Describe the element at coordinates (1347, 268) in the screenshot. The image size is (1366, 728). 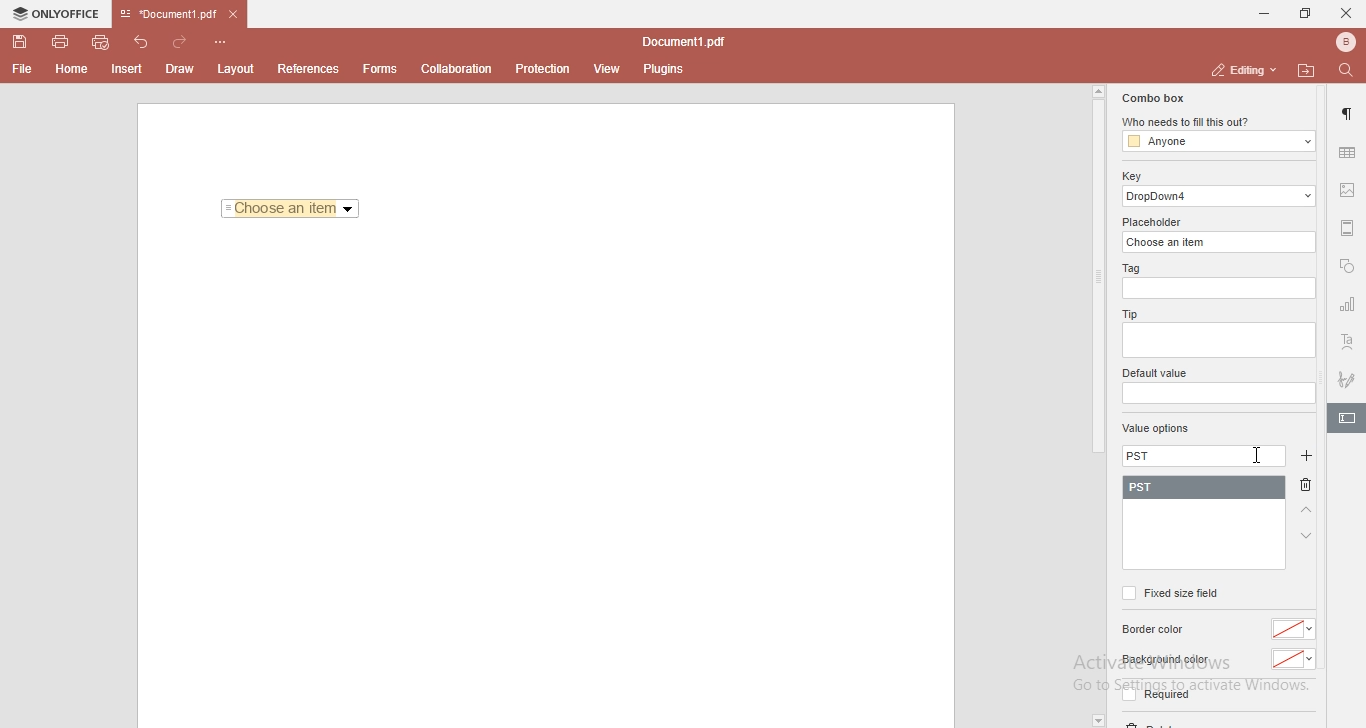
I see `shapes` at that location.